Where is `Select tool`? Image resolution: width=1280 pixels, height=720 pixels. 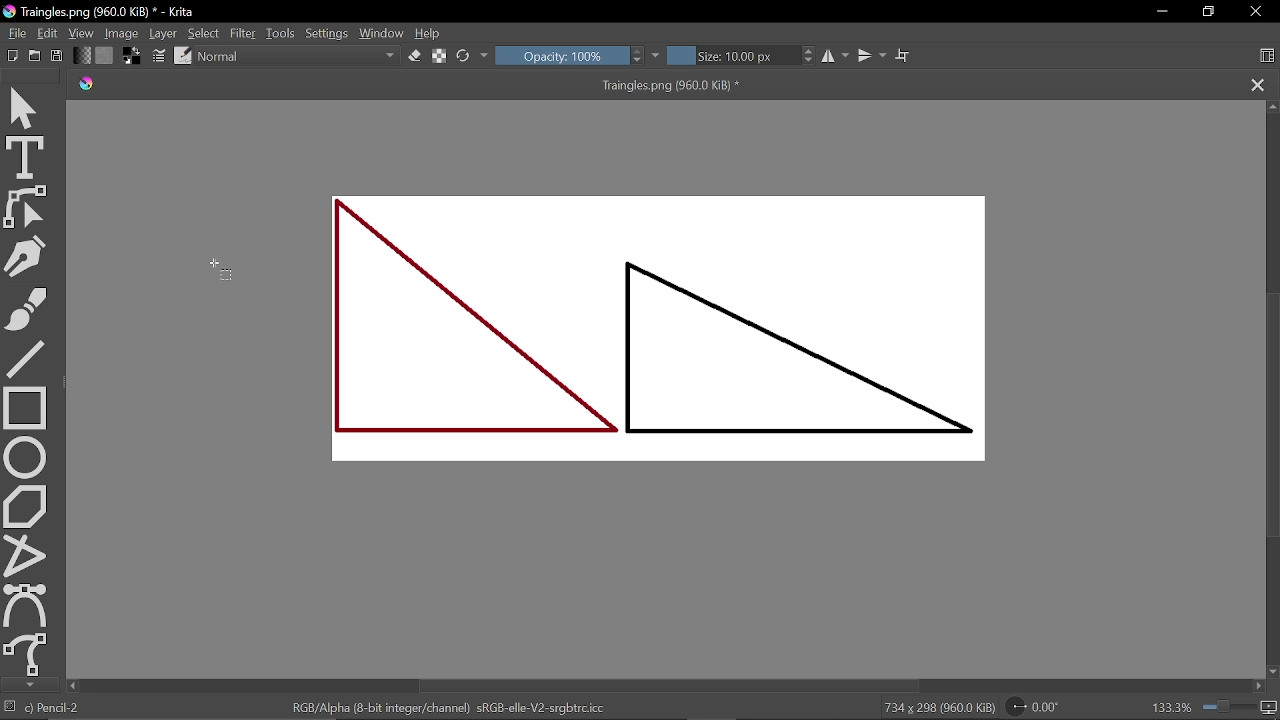 Select tool is located at coordinates (26, 109).